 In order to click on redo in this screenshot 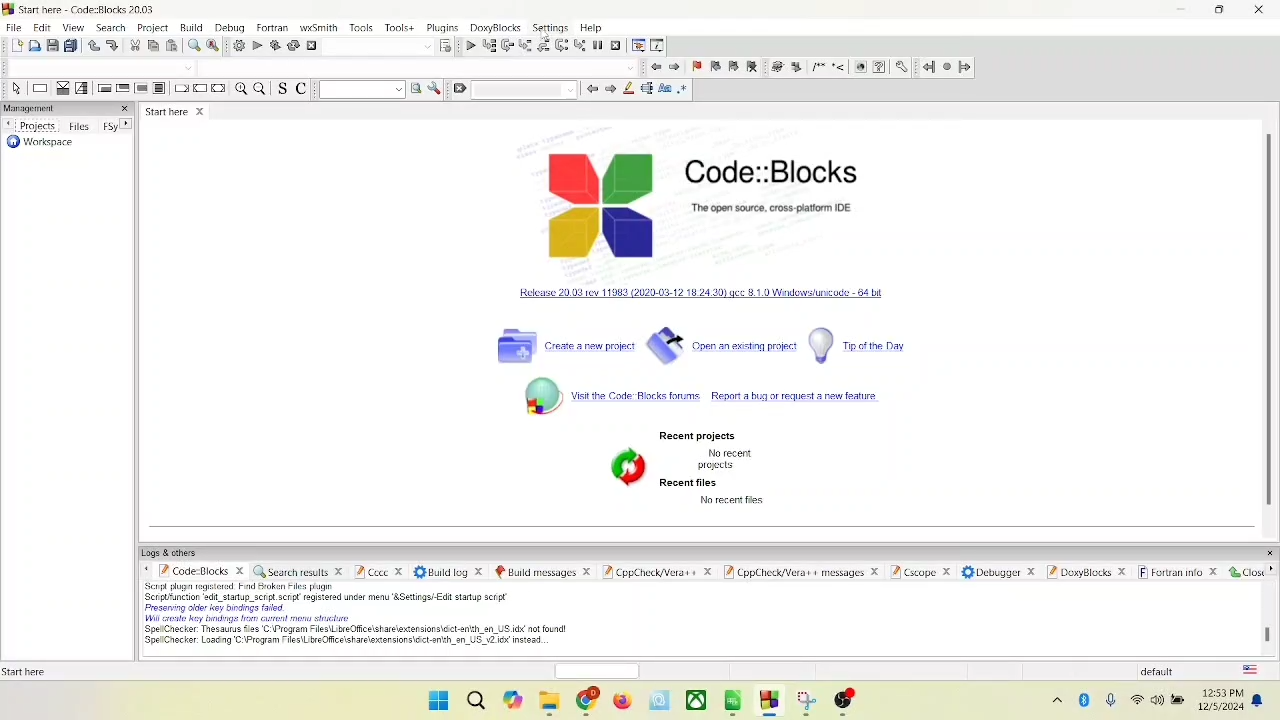, I will do `click(111, 45)`.